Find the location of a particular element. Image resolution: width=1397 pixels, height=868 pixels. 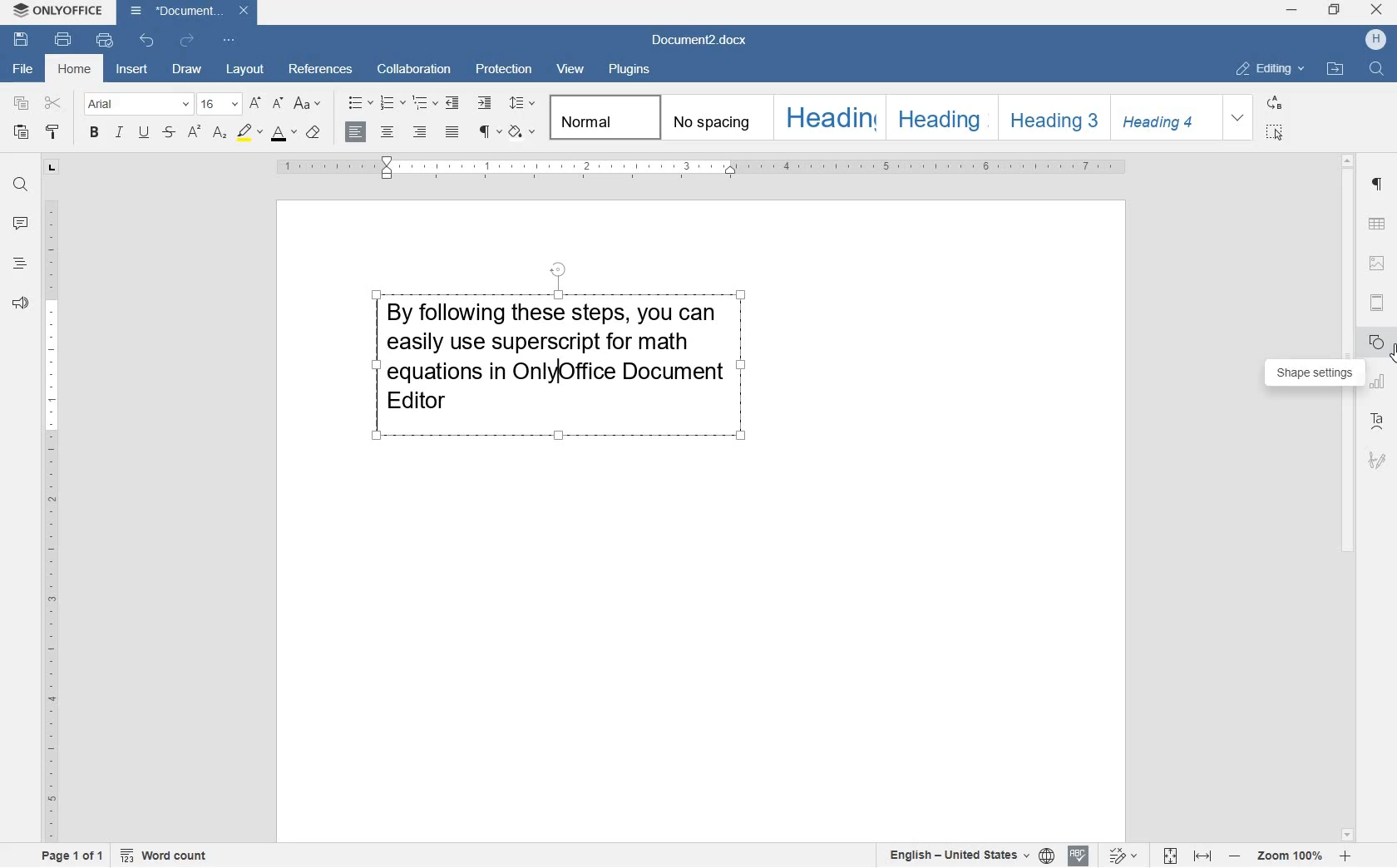

underline is located at coordinates (143, 131).